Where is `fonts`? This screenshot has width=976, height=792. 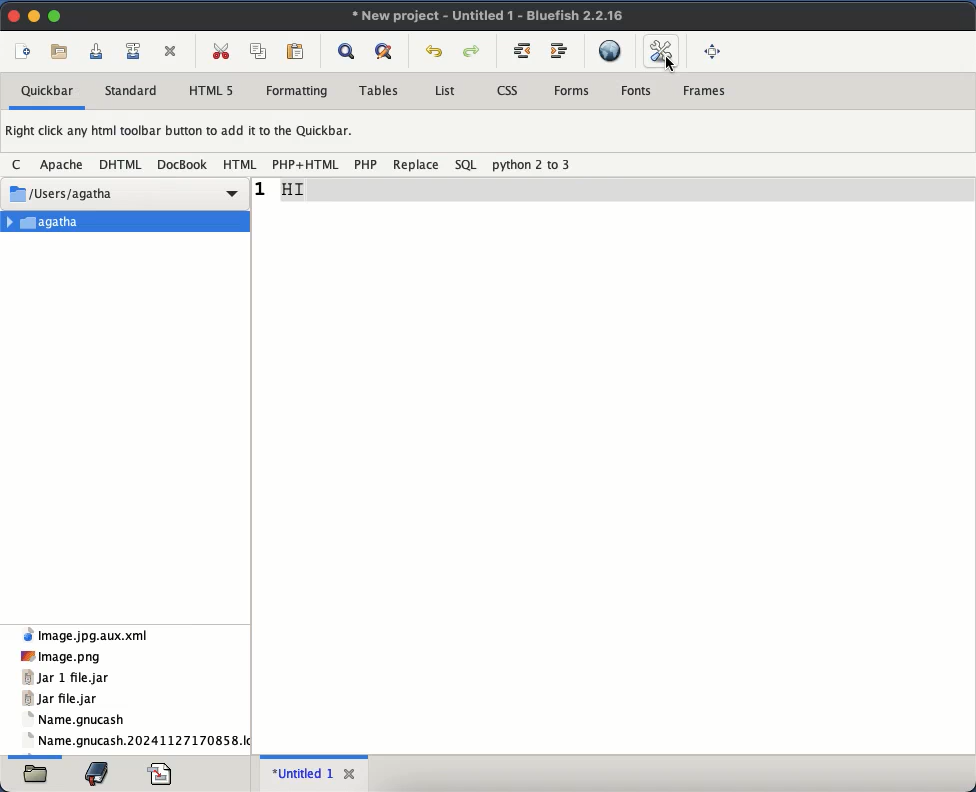 fonts is located at coordinates (639, 92).